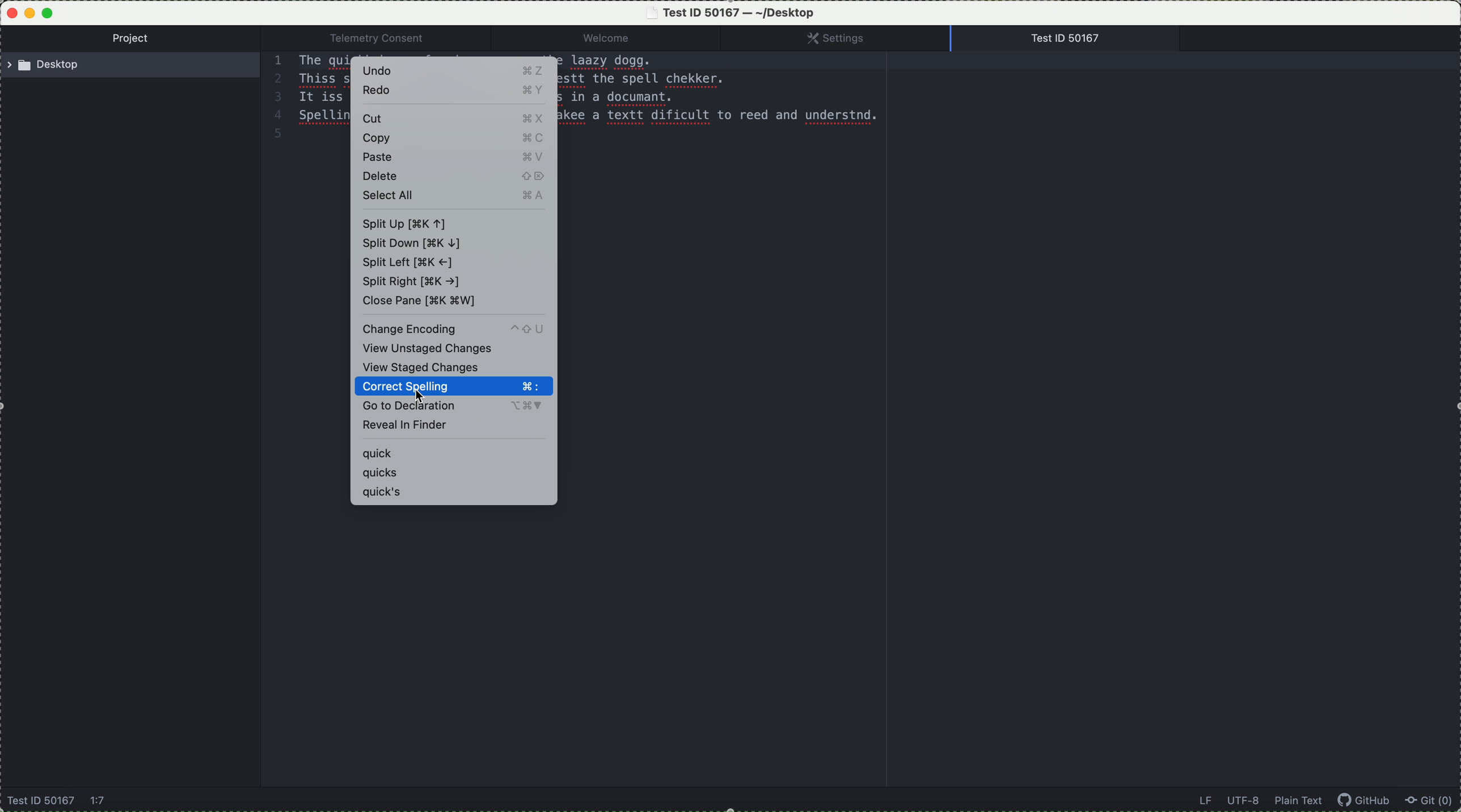 The height and width of the screenshot is (812, 1461). Describe the element at coordinates (382, 474) in the screenshot. I see `quicks` at that location.